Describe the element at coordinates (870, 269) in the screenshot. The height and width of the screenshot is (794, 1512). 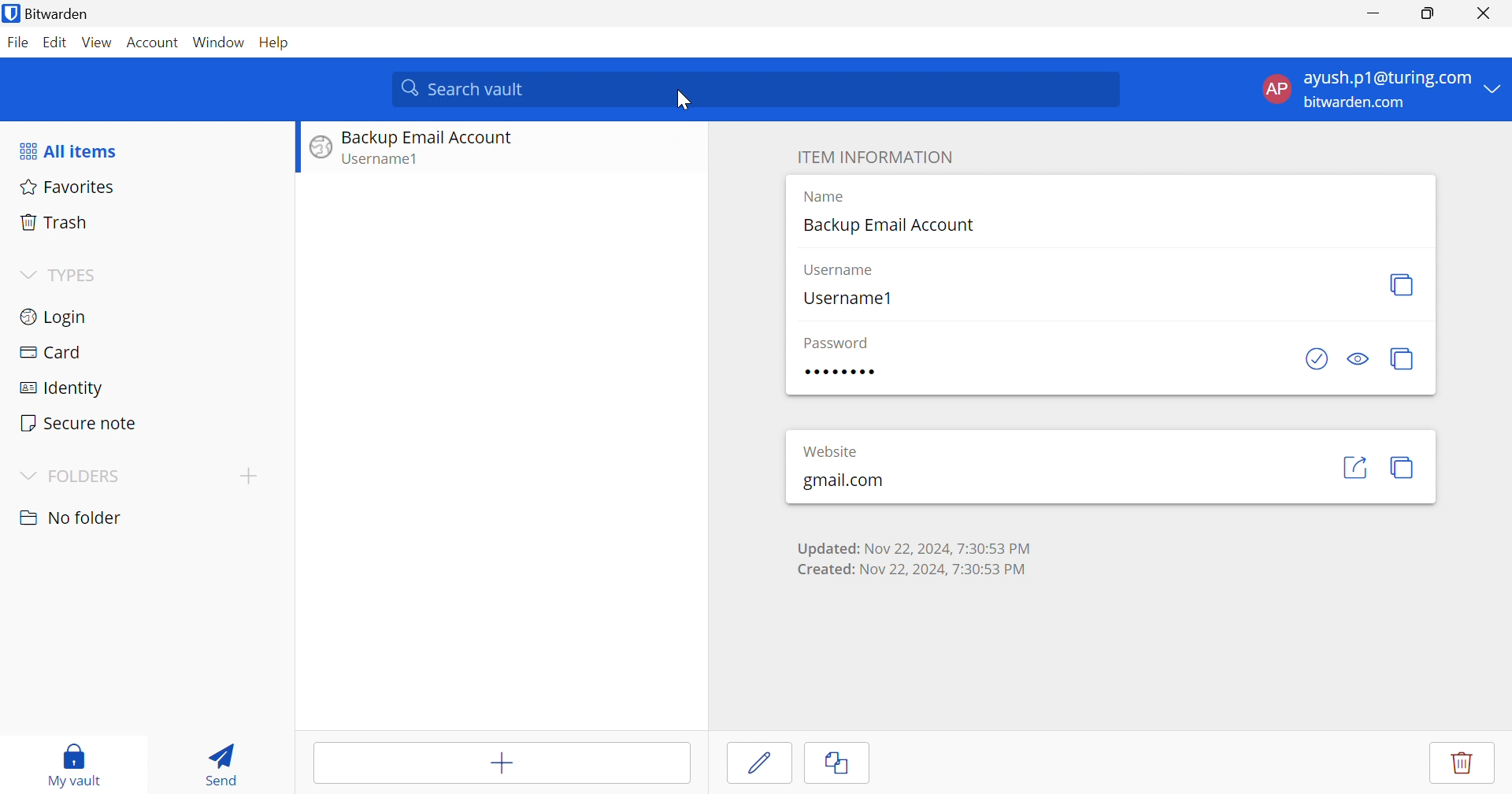
I see `username` at that location.